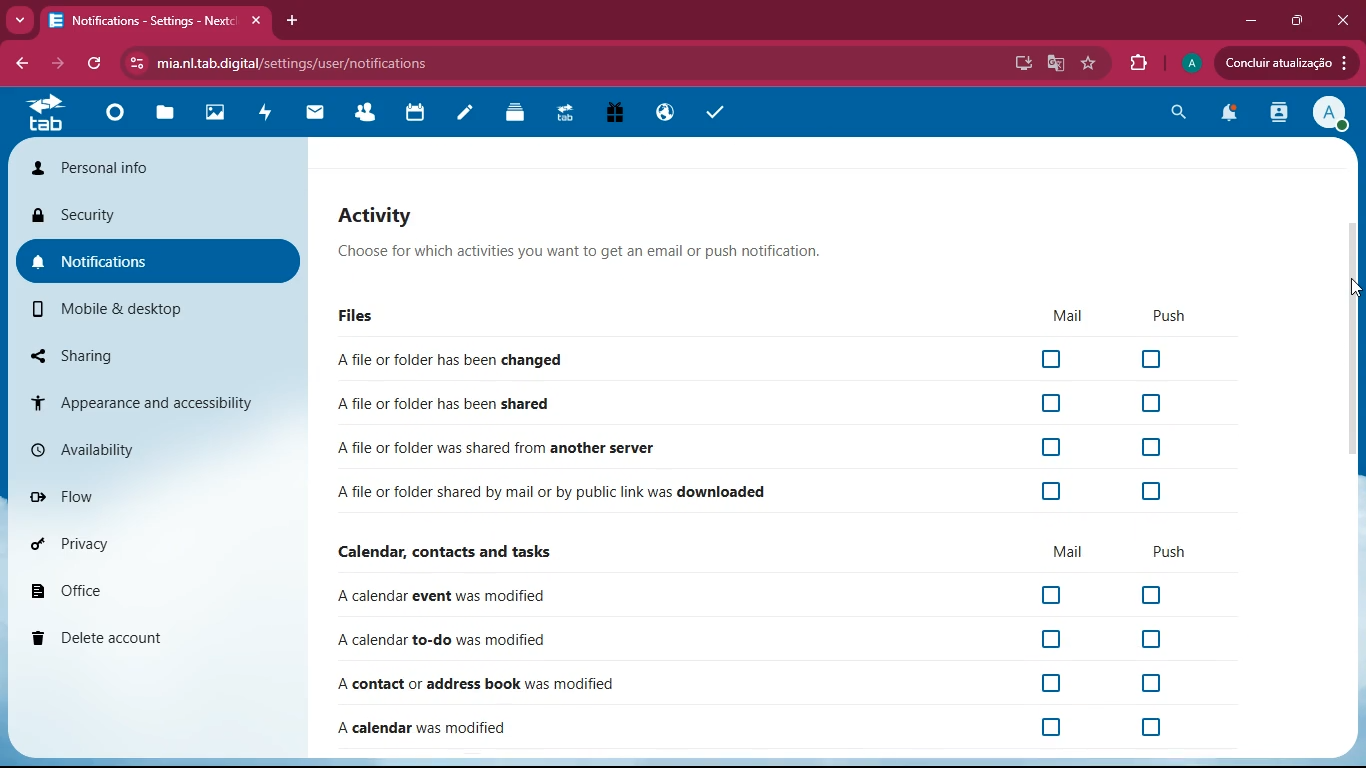 The width and height of the screenshot is (1366, 768). What do you see at coordinates (1050, 402) in the screenshot?
I see `checkbox` at bounding box center [1050, 402].